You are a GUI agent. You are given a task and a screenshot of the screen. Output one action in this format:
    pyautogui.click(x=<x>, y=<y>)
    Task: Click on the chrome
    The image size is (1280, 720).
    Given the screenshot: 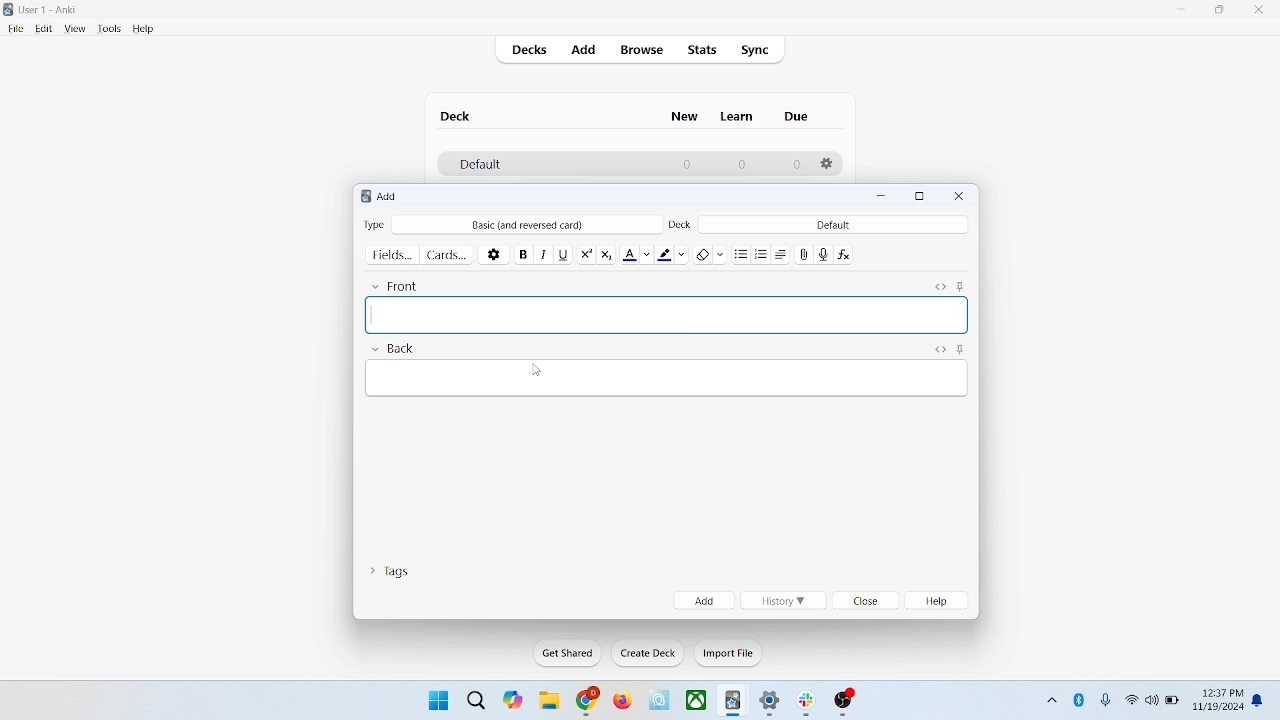 What is the action you would take?
    pyautogui.click(x=588, y=701)
    